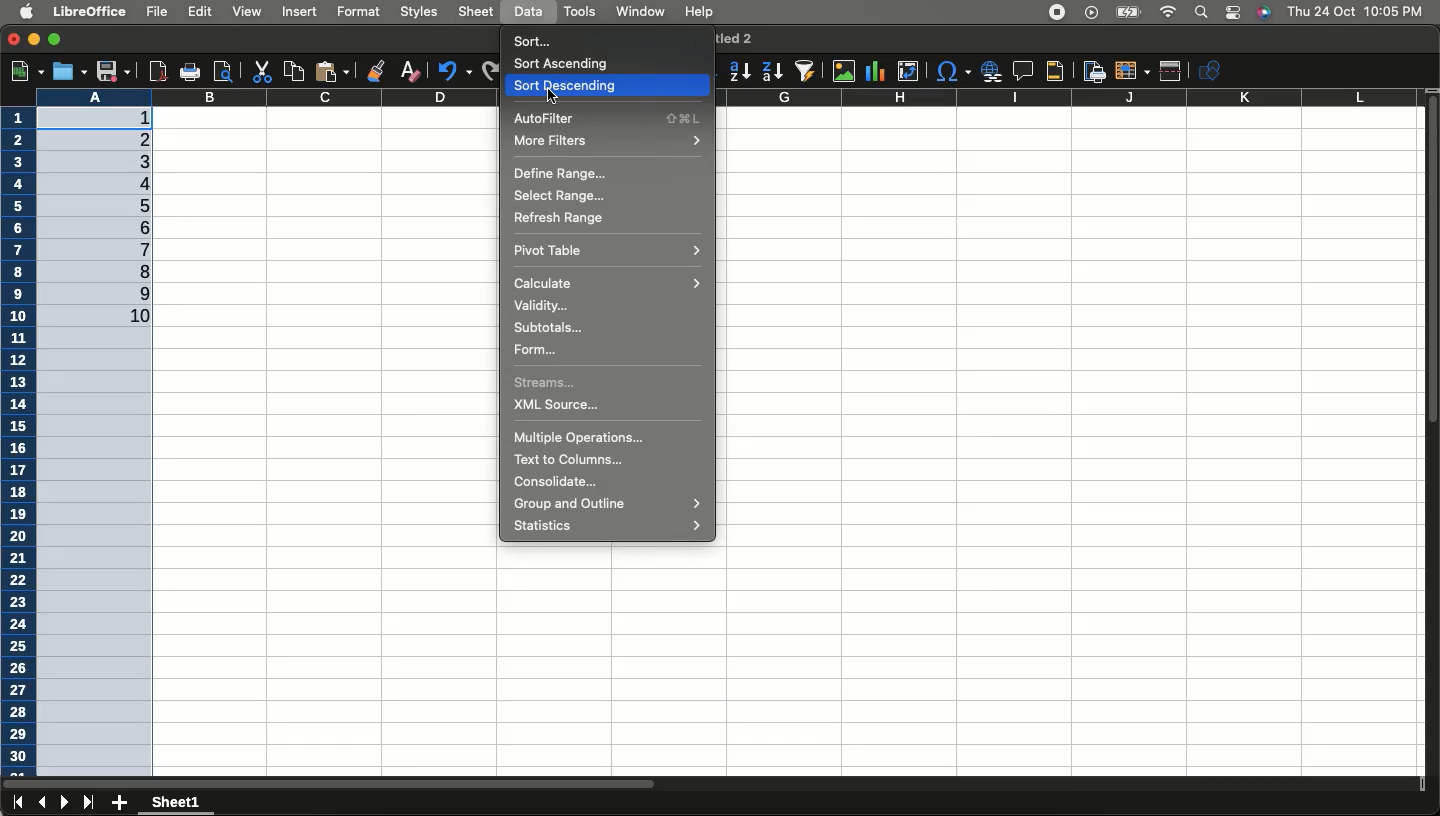  What do you see at coordinates (1172, 71) in the screenshot?
I see `Split window` at bounding box center [1172, 71].